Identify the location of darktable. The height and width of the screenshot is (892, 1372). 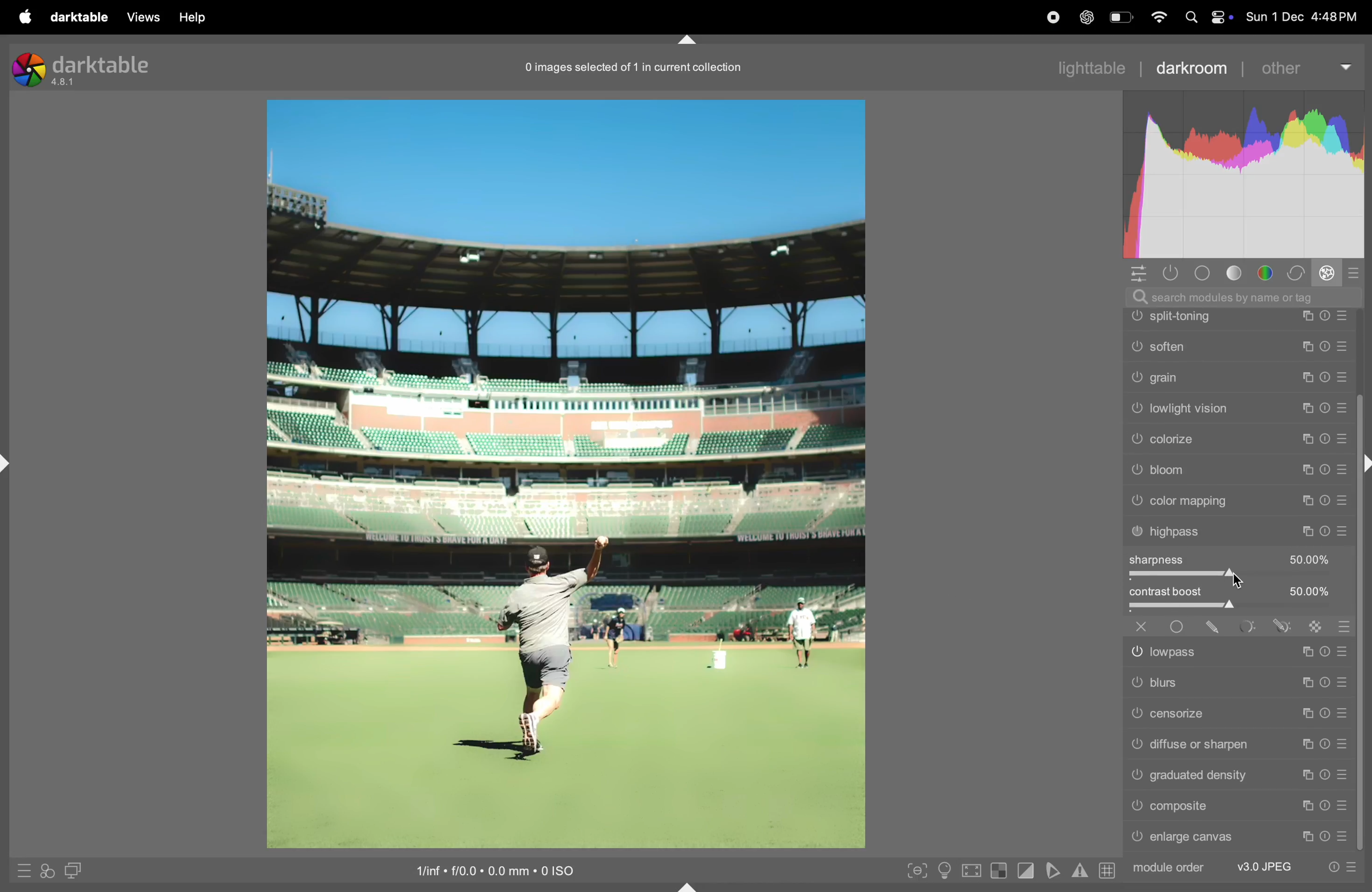
(79, 17).